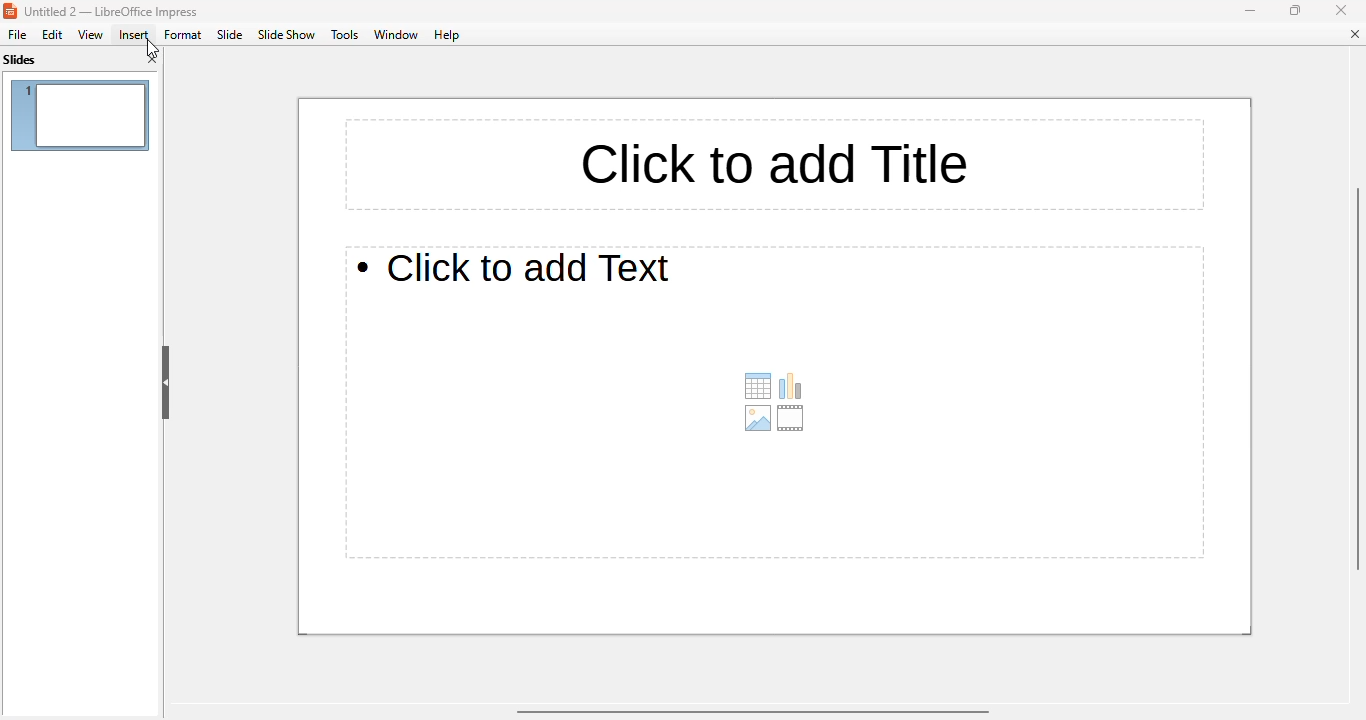 This screenshot has height=720, width=1366. What do you see at coordinates (758, 386) in the screenshot?
I see `insert table` at bounding box center [758, 386].